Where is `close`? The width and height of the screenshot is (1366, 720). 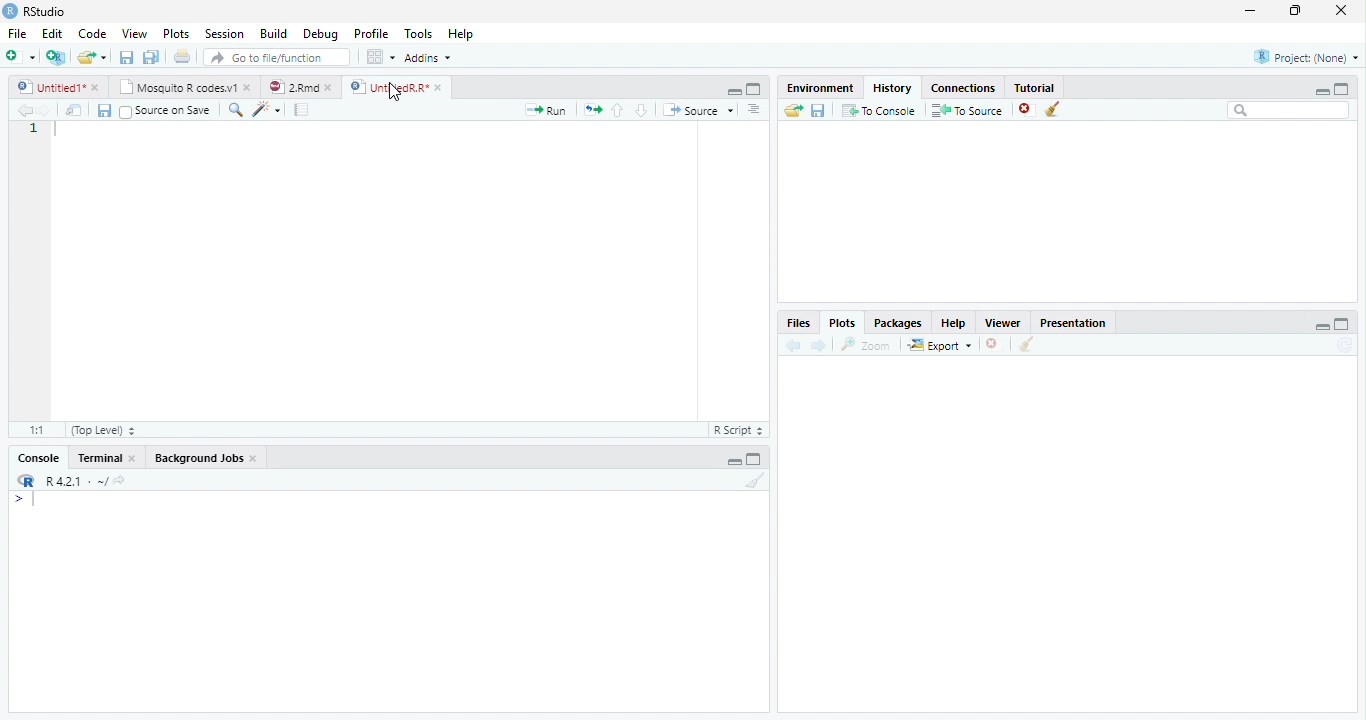 close is located at coordinates (96, 87).